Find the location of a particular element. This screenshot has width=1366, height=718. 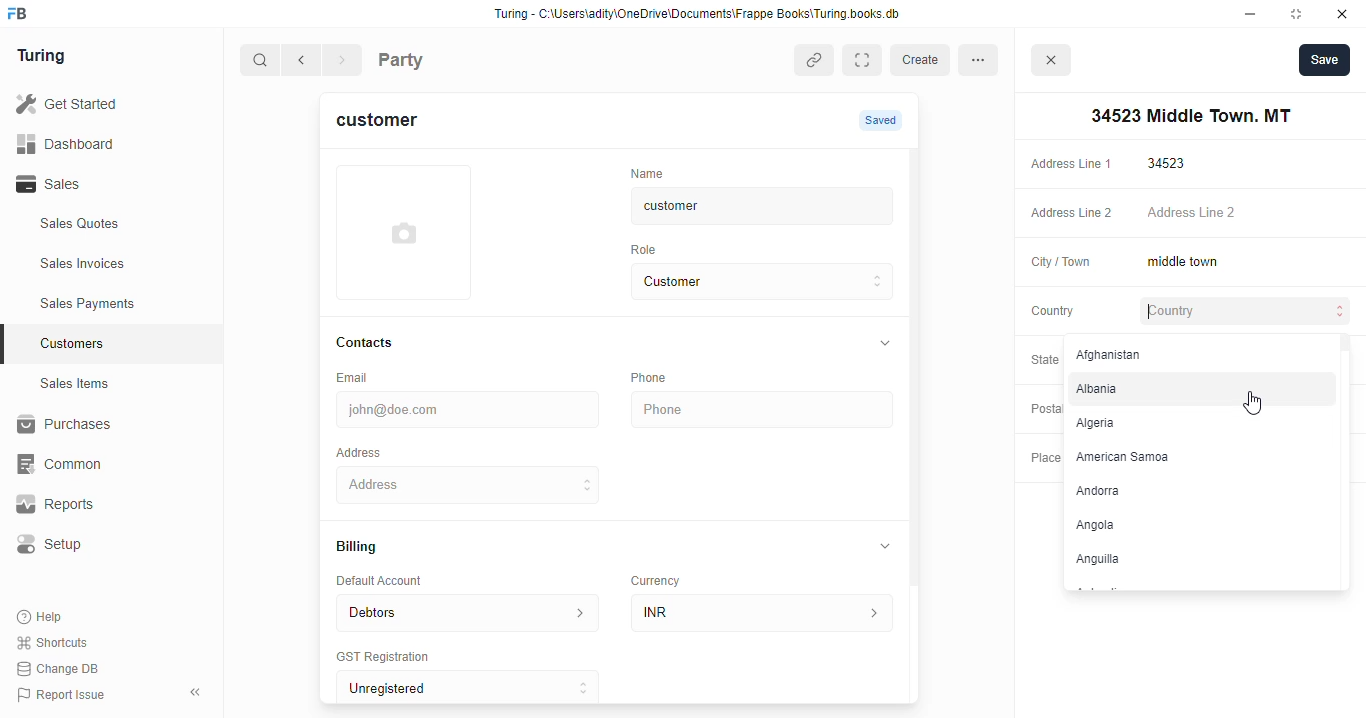

collpase is located at coordinates (195, 692).